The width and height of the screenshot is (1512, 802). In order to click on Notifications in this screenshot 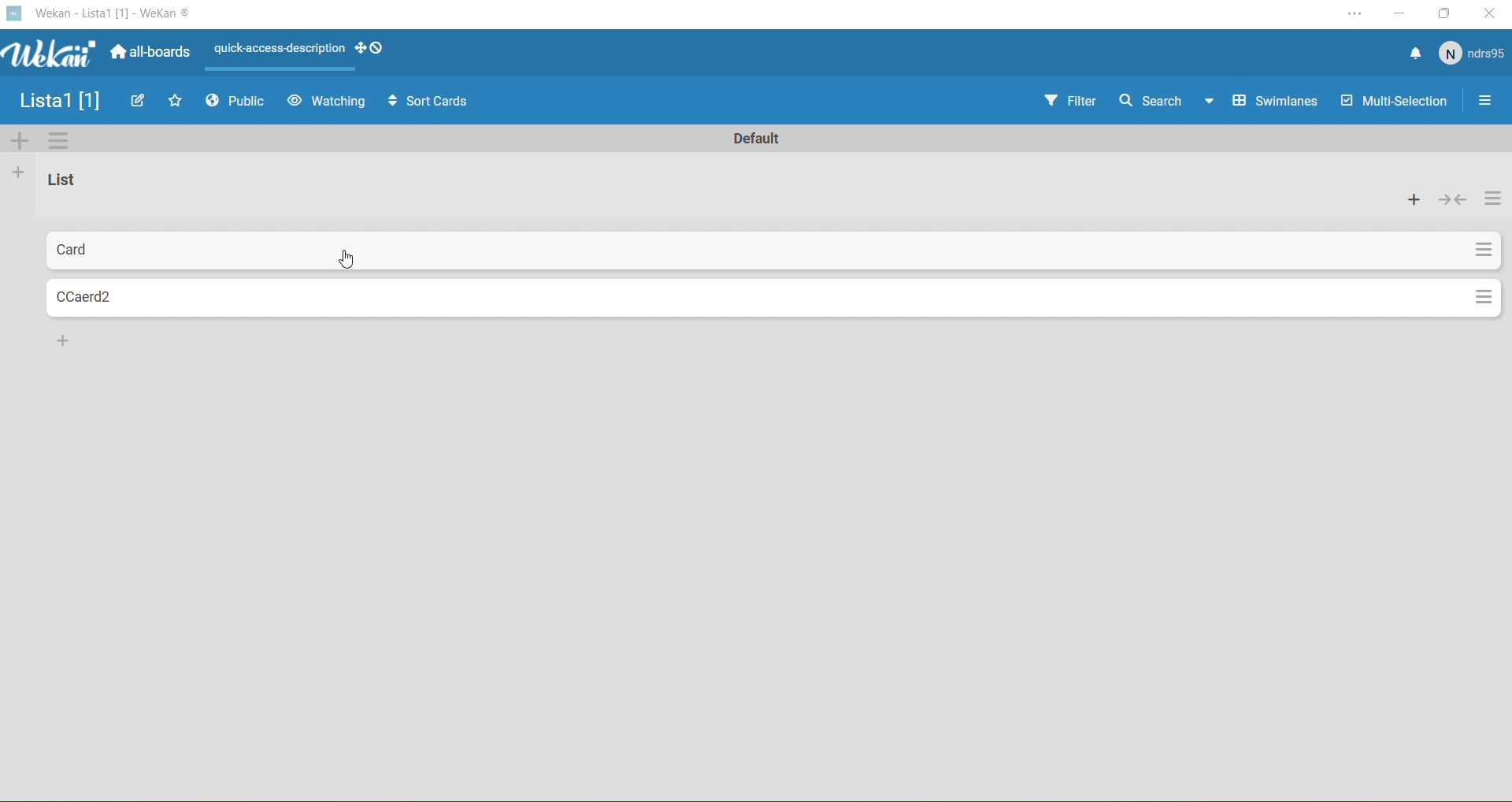, I will do `click(1415, 55)`.